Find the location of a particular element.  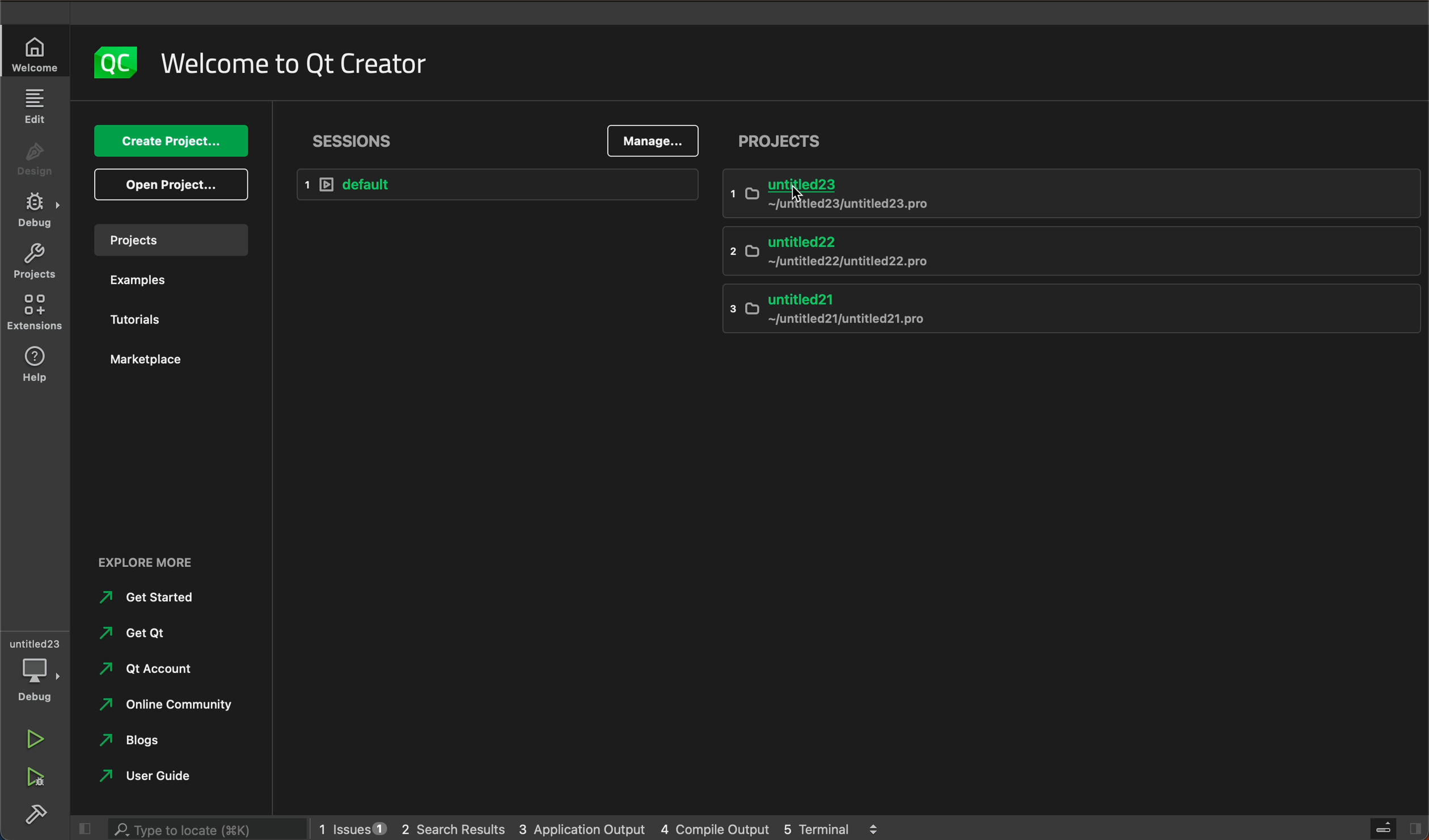

get qt is located at coordinates (133, 633).